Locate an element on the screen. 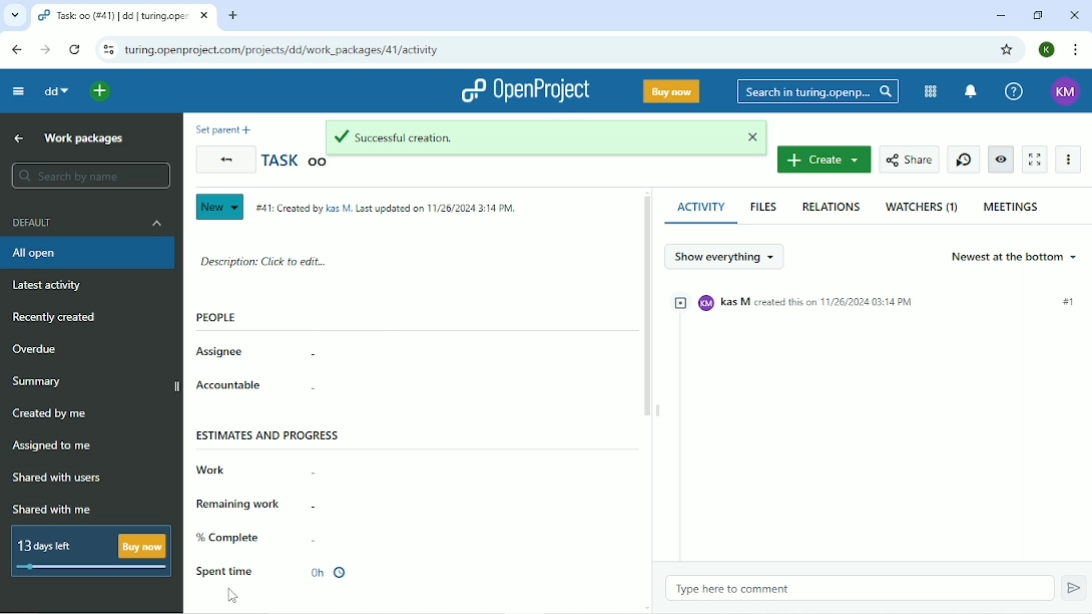 This screenshot has width=1092, height=614. Show everything is located at coordinates (727, 258).